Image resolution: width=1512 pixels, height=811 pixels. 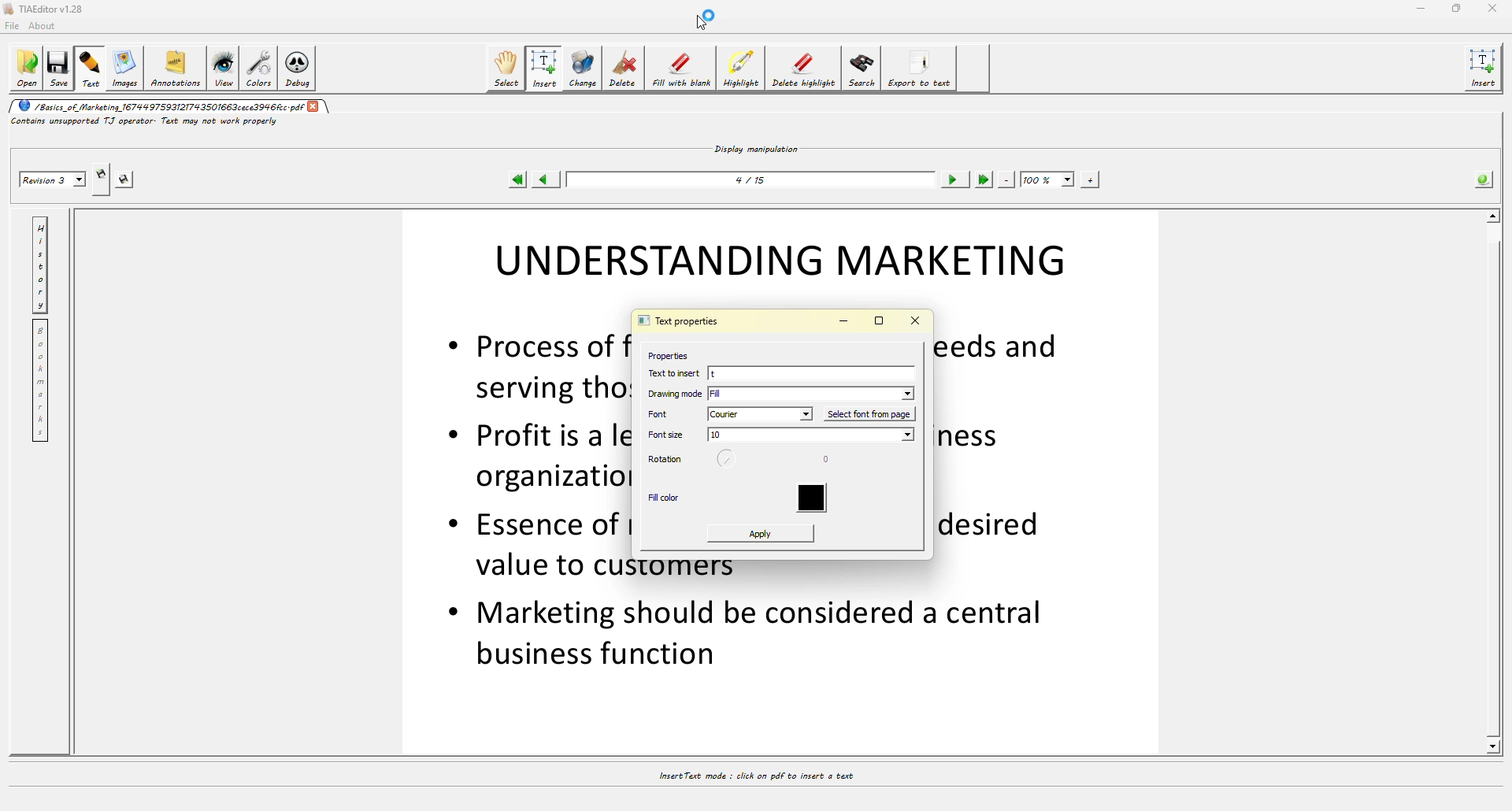 I want to click on font, so click(x=667, y=413).